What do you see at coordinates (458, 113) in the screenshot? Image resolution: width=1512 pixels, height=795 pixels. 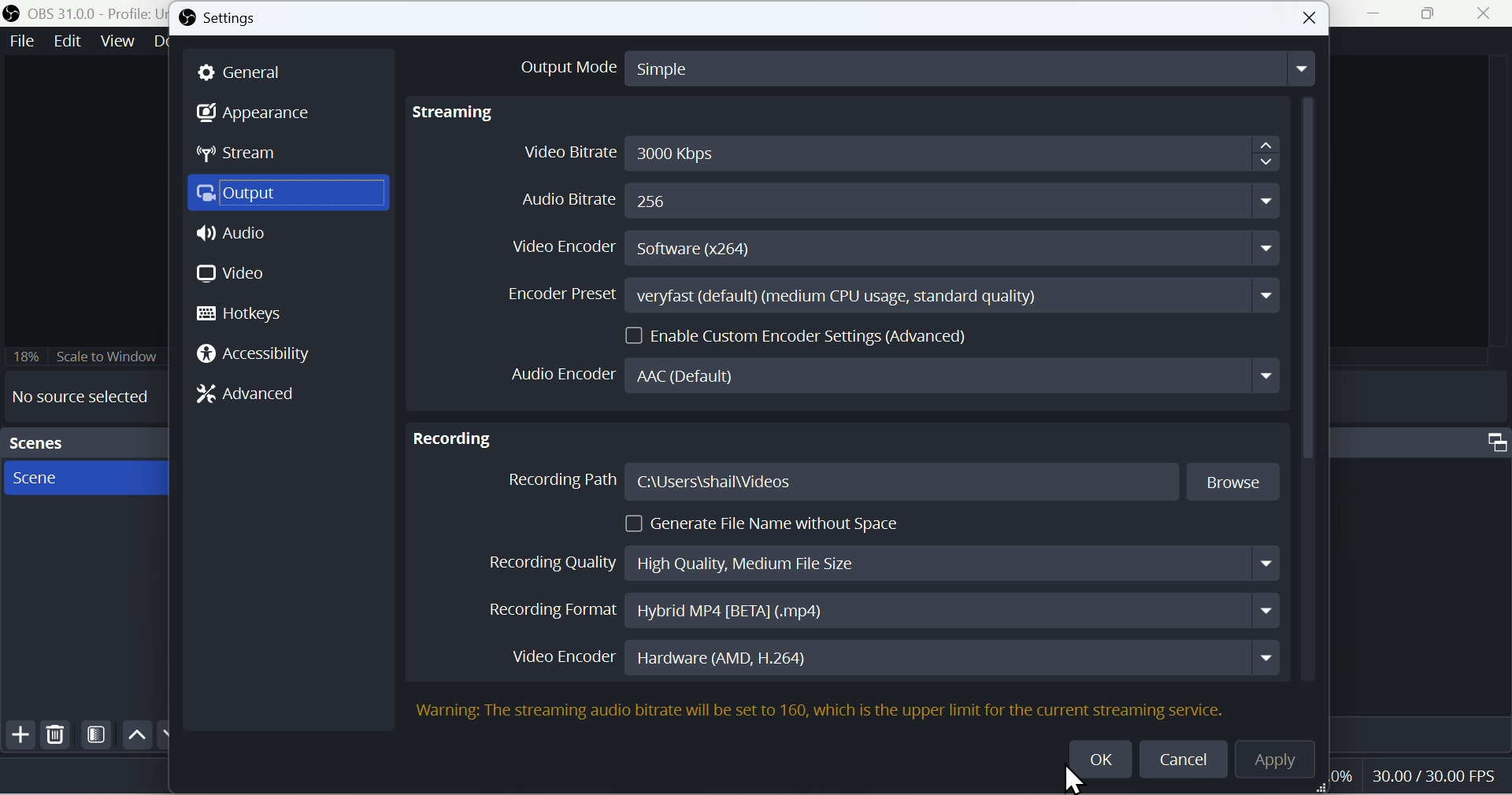 I see `Streaming` at bounding box center [458, 113].